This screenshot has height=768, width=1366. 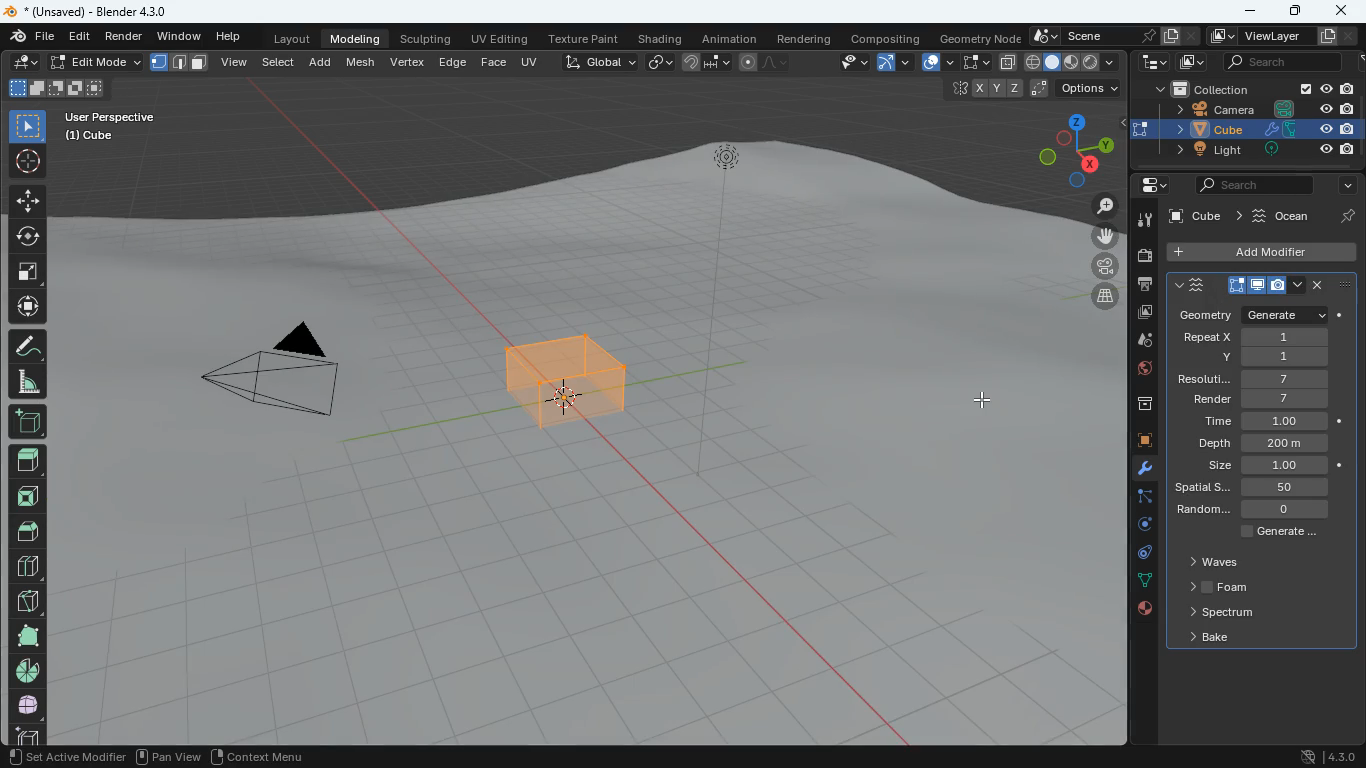 I want to click on tools, so click(x=1141, y=219).